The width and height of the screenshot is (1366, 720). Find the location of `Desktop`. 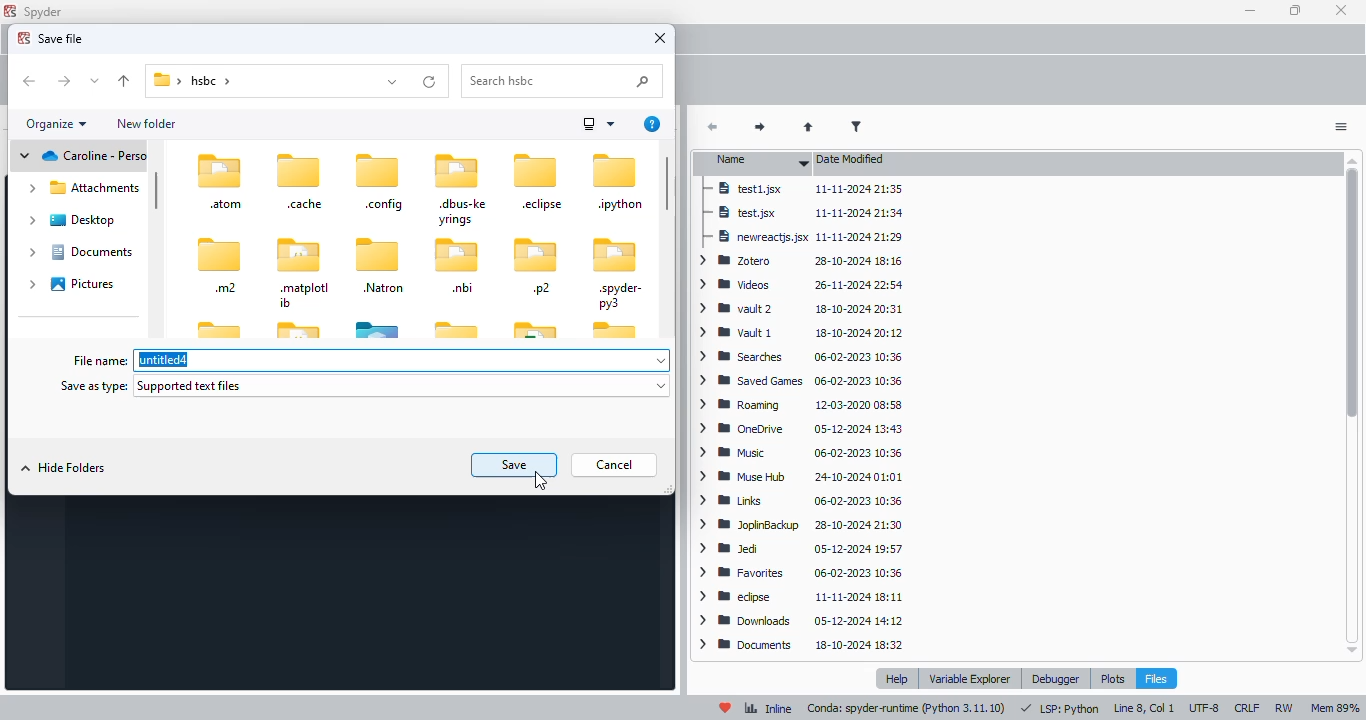

Desktop is located at coordinates (76, 220).